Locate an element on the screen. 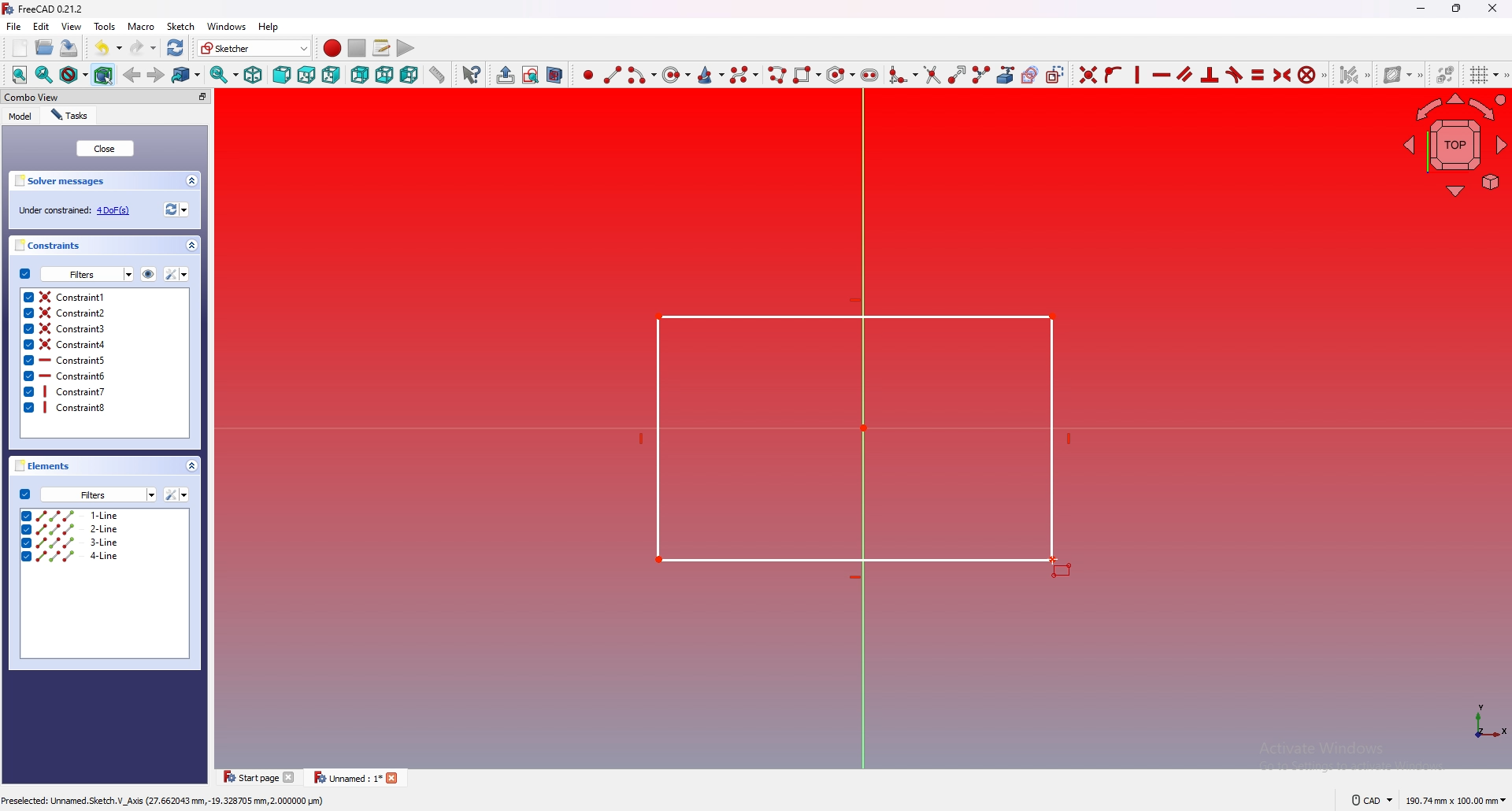  close is located at coordinates (106, 148).